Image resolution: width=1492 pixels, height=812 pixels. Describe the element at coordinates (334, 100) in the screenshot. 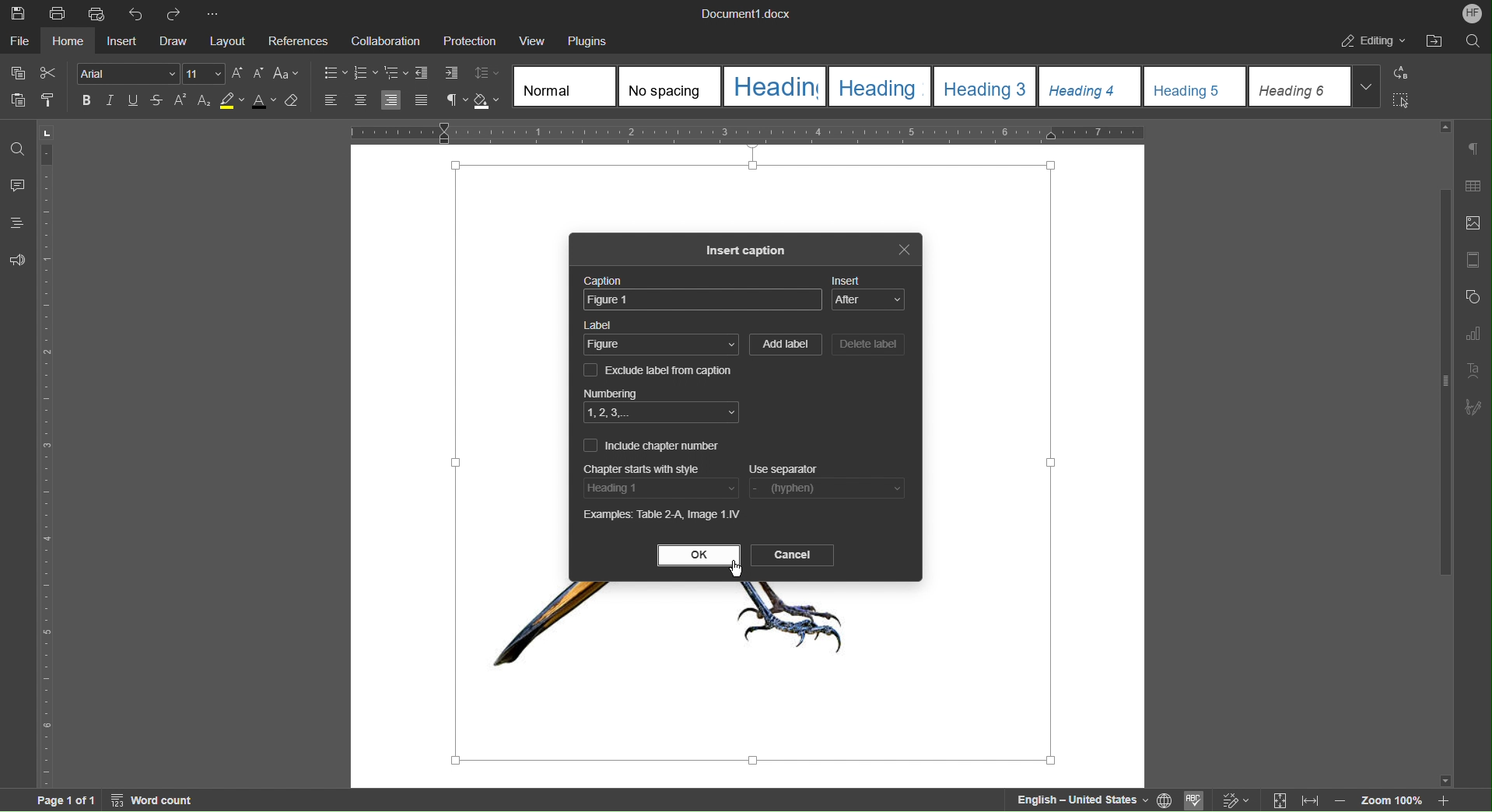

I see `Align Left` at that location.